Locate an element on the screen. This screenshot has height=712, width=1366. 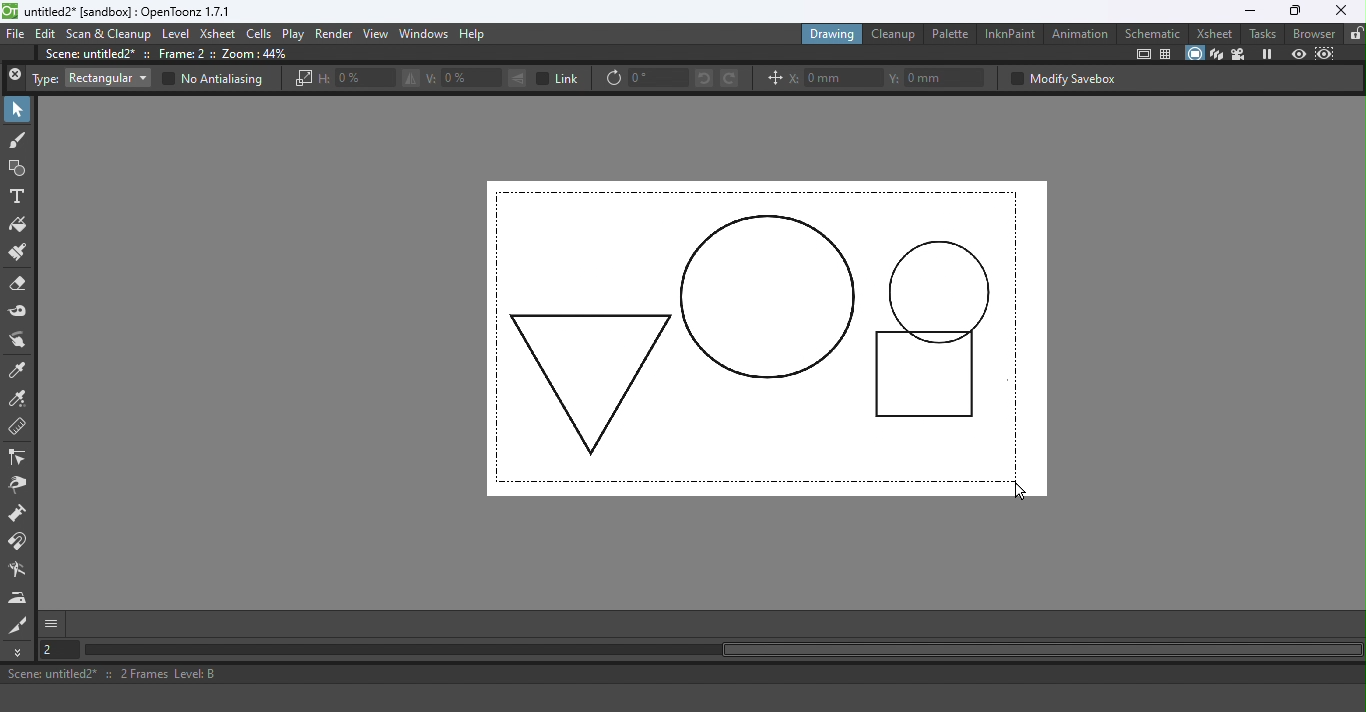
Safe area is located at coordinates (1142, 54).